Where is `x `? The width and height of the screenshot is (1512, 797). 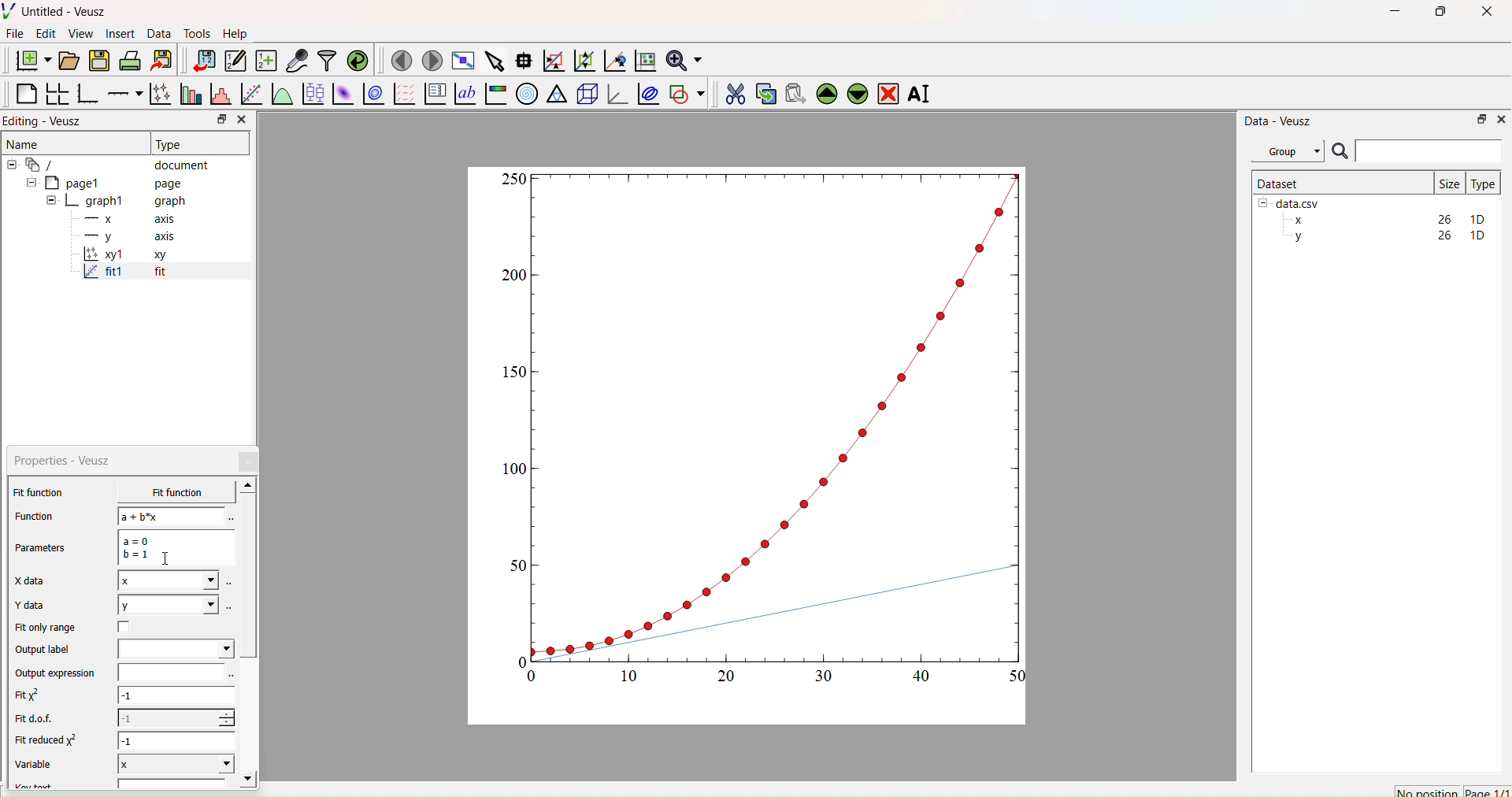 x  is located at coordinates (168, 582).